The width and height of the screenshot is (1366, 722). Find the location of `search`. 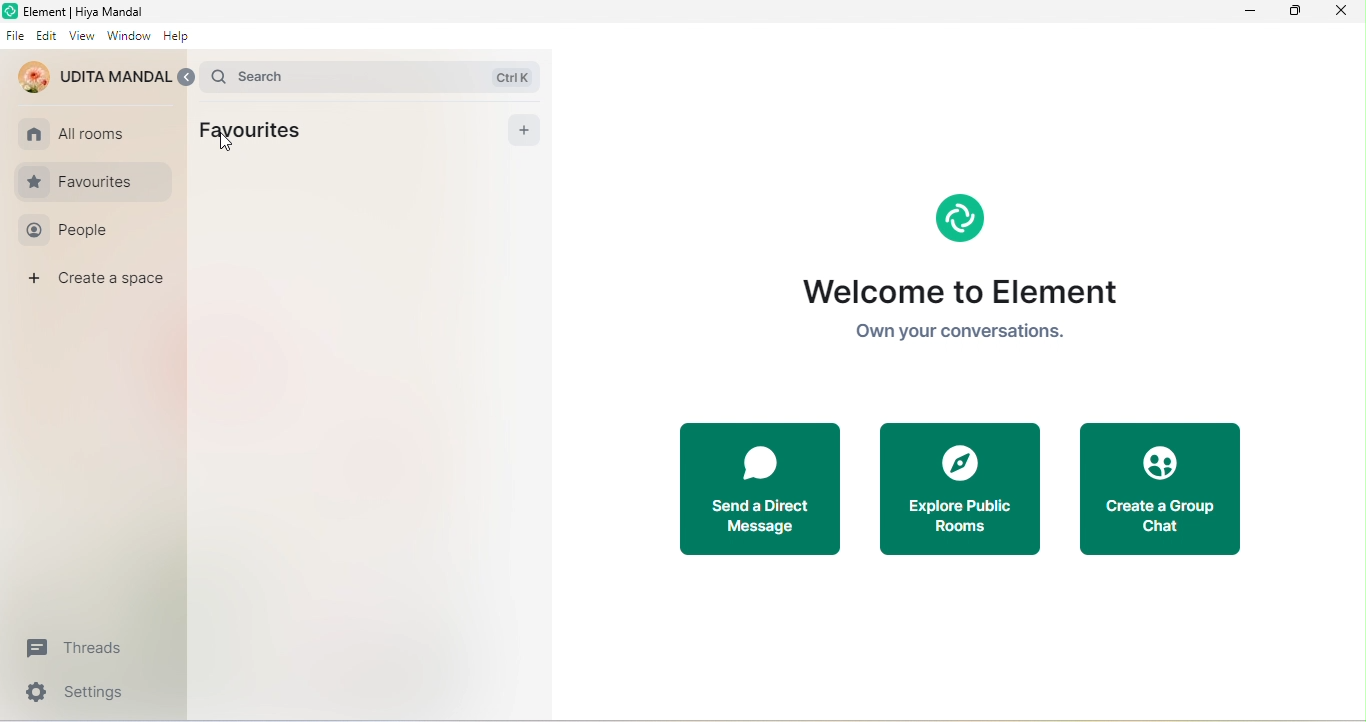

search is located at coordinates (376, 75).